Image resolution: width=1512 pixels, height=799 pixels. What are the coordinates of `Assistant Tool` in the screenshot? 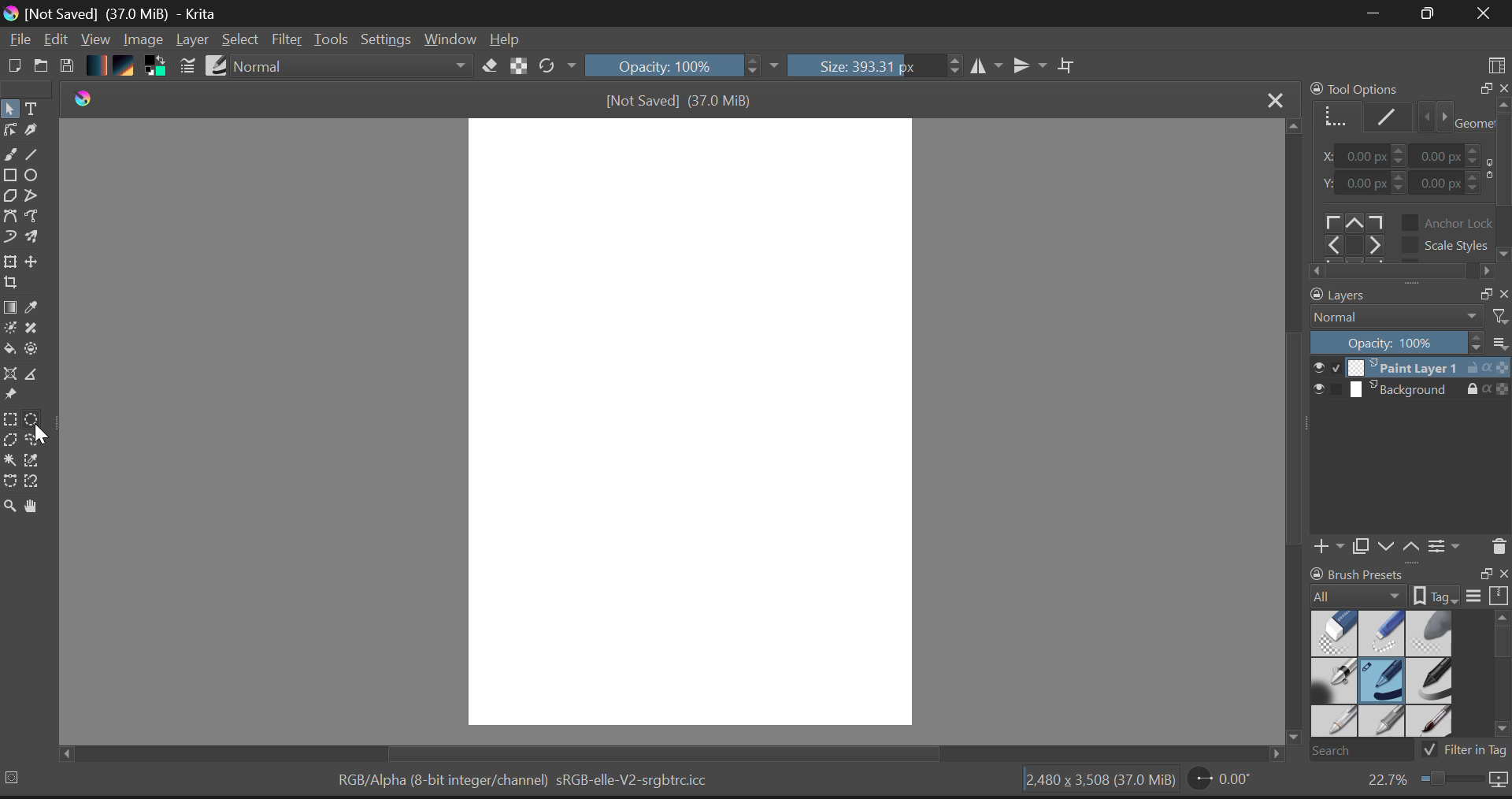 It's located at (13, 372).